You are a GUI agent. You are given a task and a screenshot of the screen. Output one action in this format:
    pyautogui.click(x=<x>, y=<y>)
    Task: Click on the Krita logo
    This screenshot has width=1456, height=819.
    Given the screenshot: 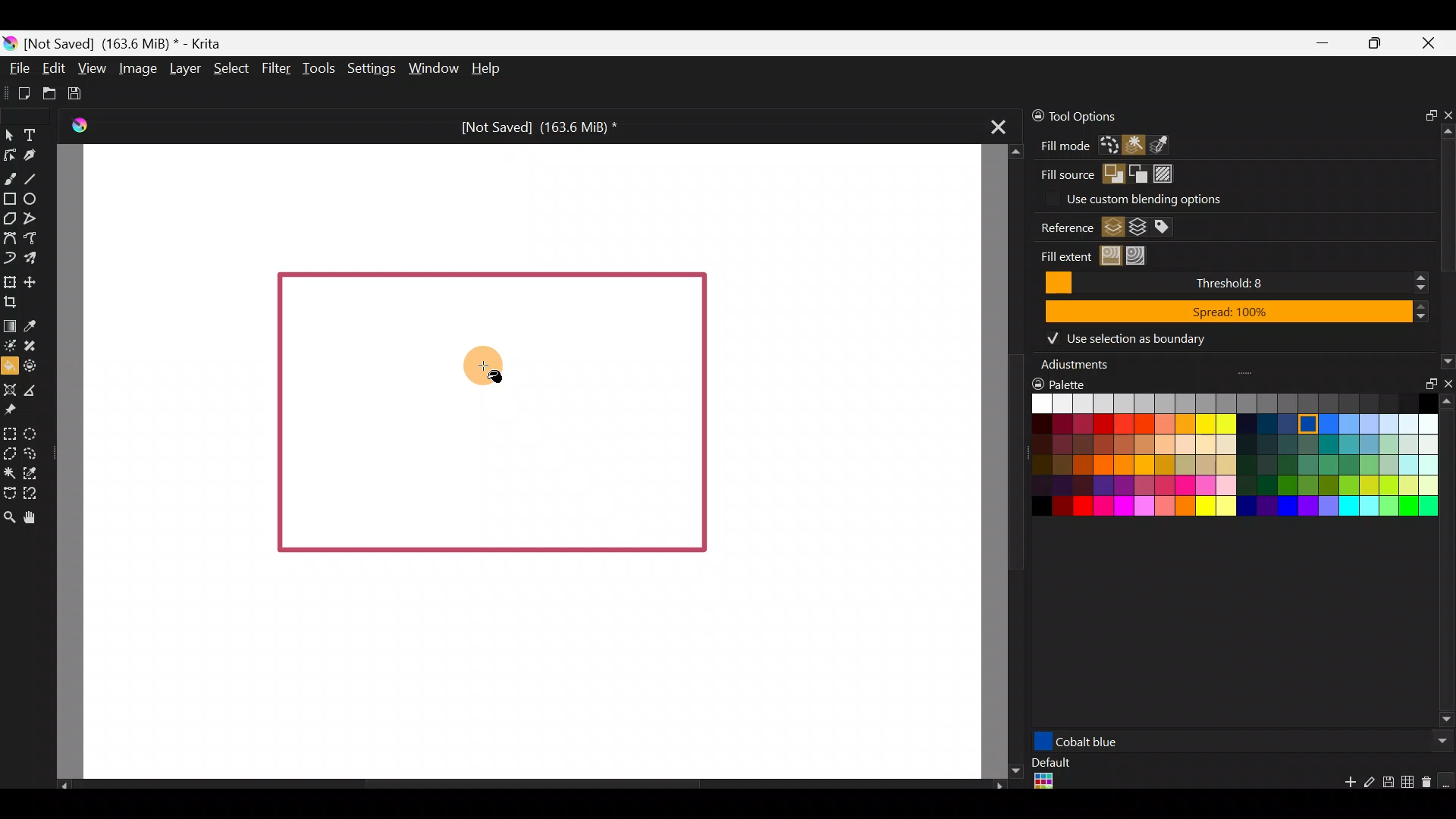 What is the action you would take?
    pyautogui.click(x=11, y=42)
    